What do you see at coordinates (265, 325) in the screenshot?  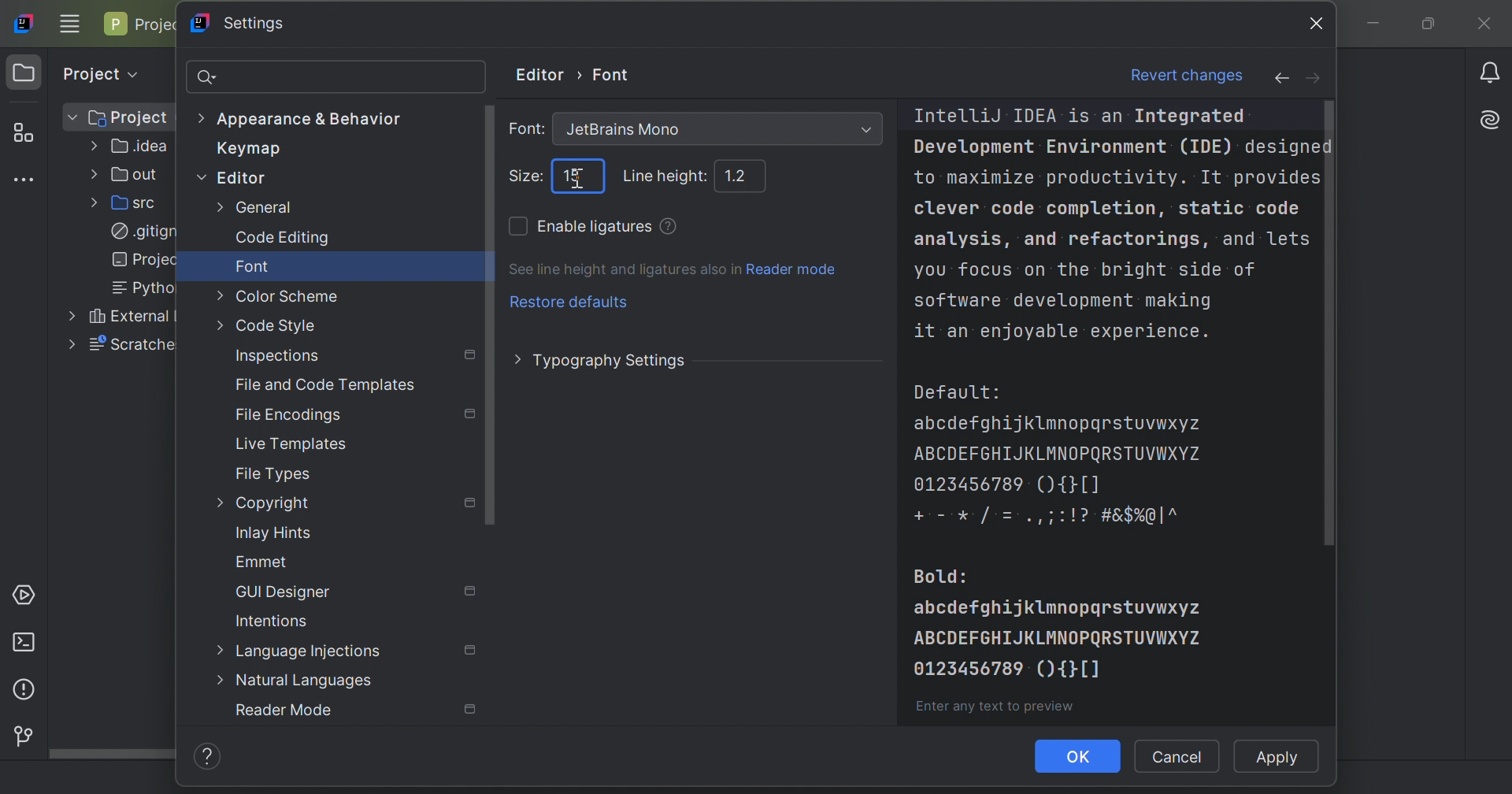 I see `Code style` at bounding box center [265, 325].